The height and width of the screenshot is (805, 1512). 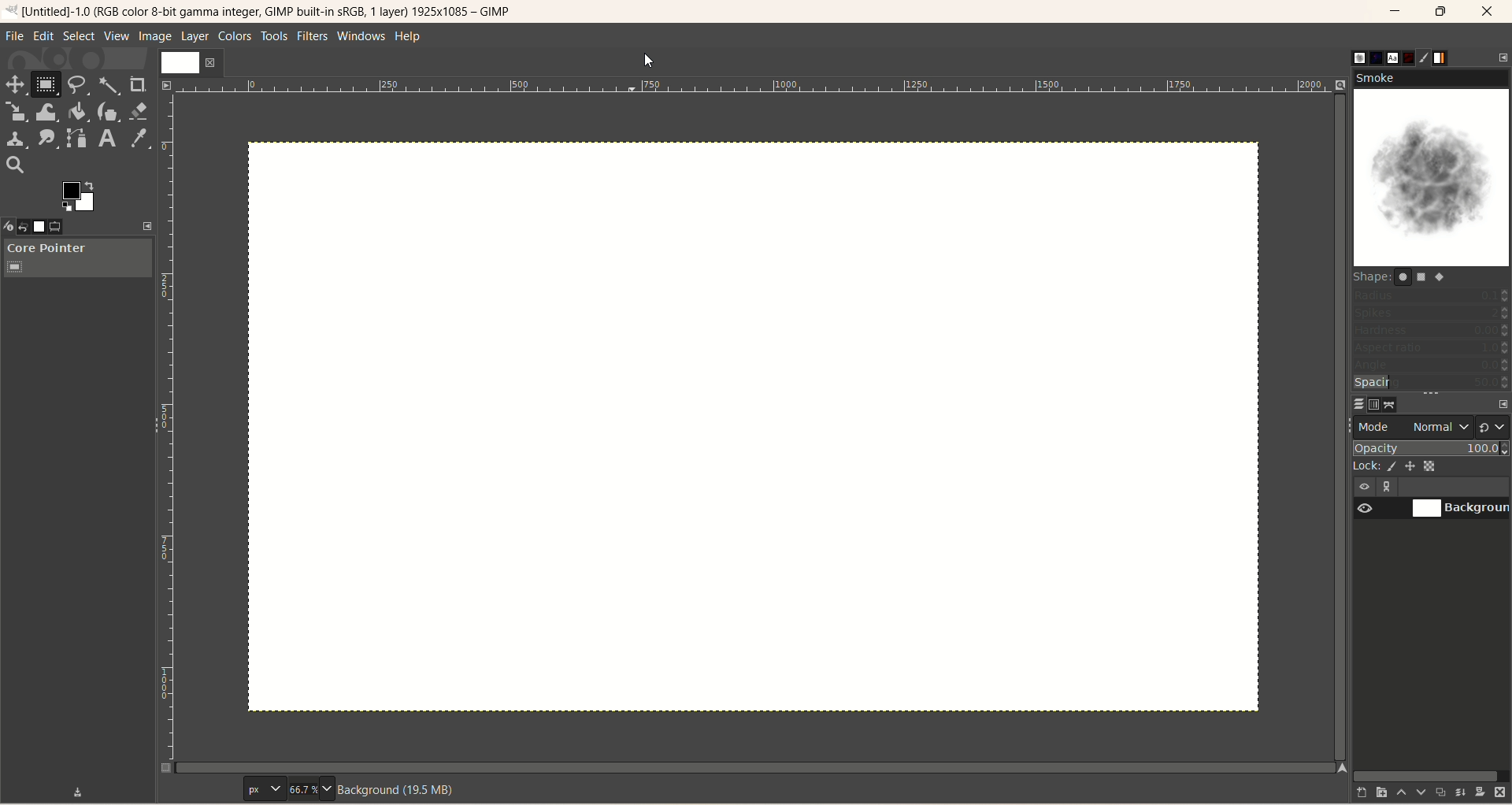 I want to click on view, so click(x=165, y=86).